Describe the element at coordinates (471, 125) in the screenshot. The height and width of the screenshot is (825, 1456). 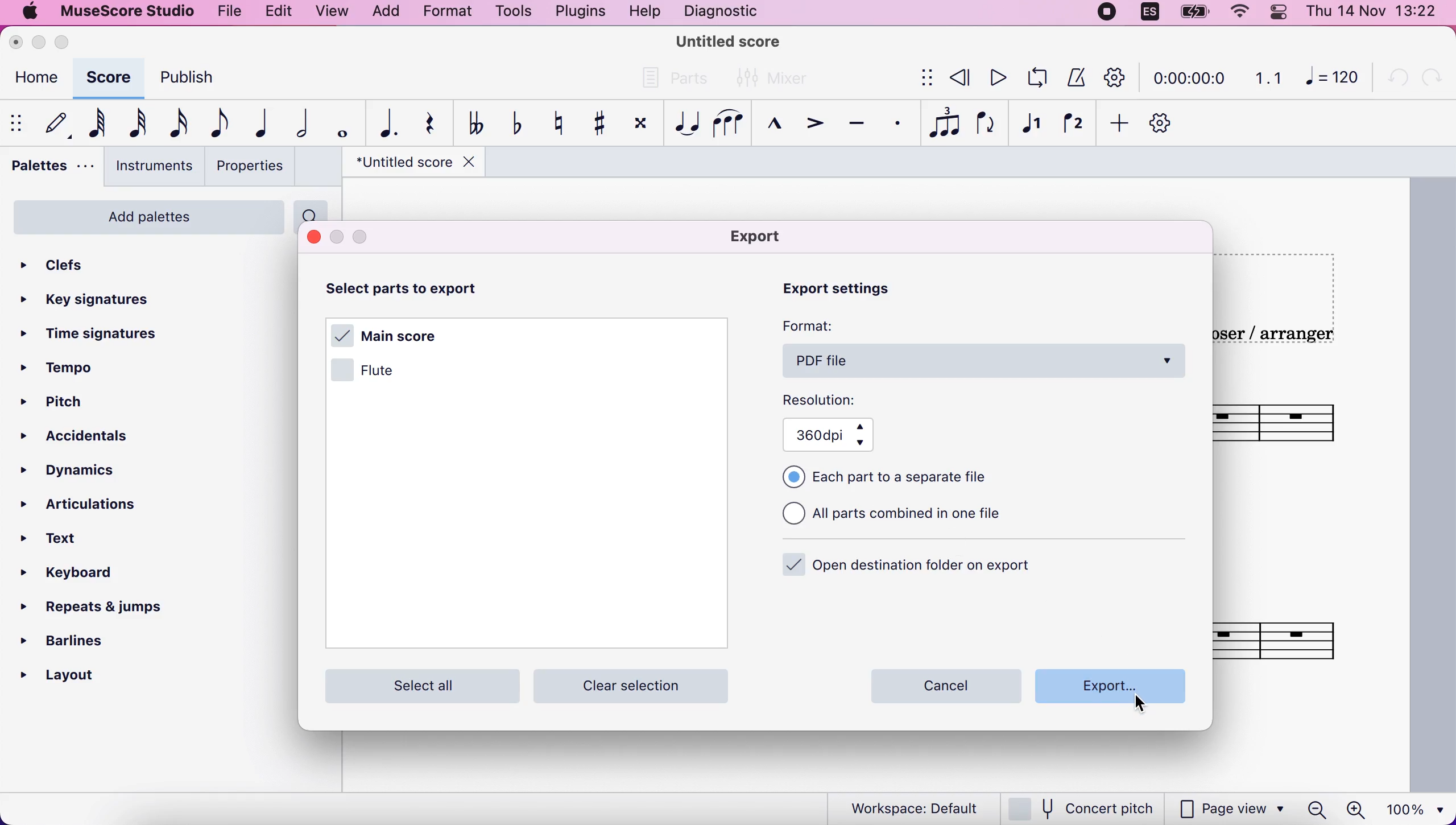
I see `toggle double flat` at that location.